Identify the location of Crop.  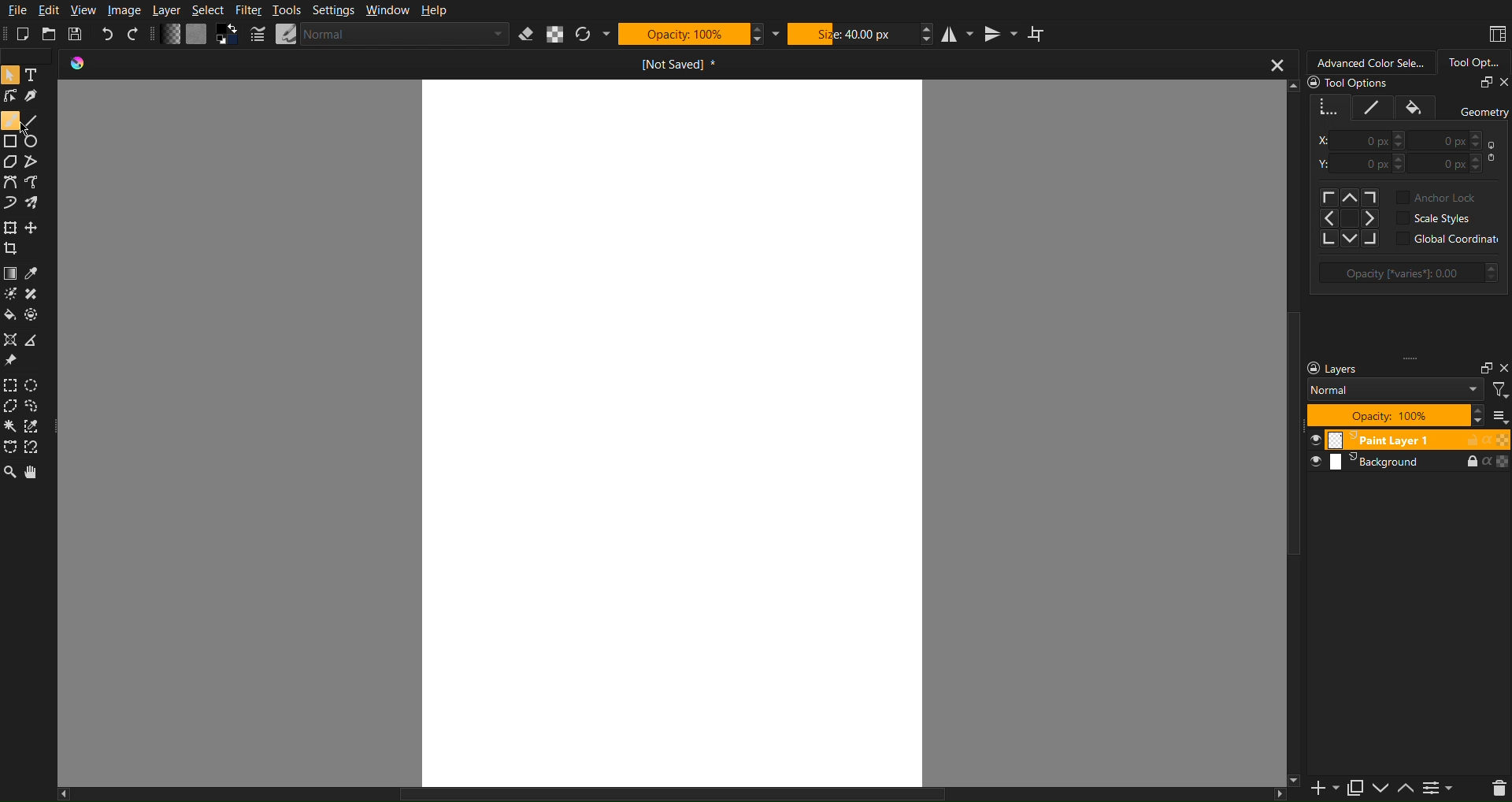
(13, 249).